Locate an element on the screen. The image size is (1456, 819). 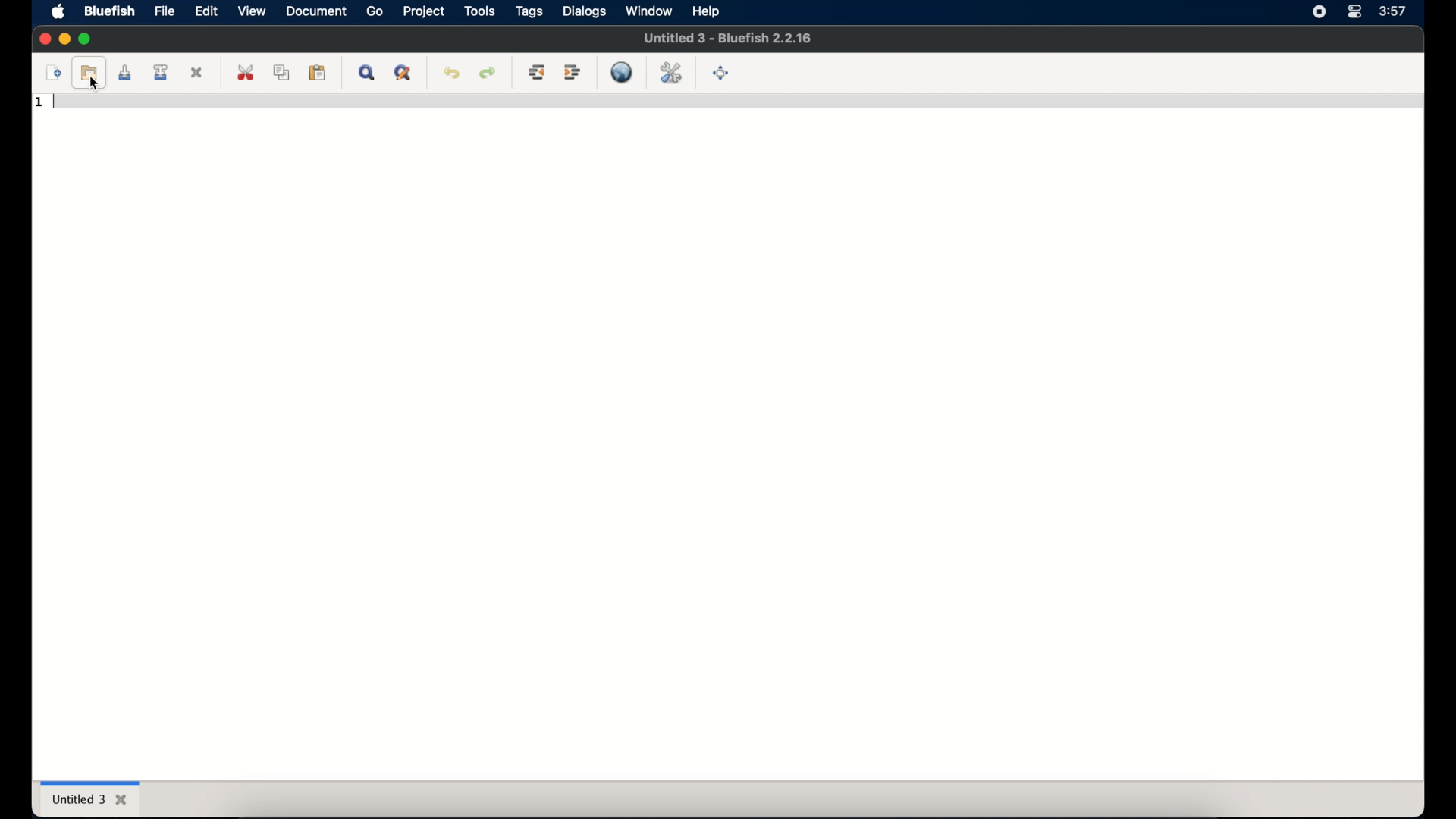
control center is located at coordinates (1354, 12).